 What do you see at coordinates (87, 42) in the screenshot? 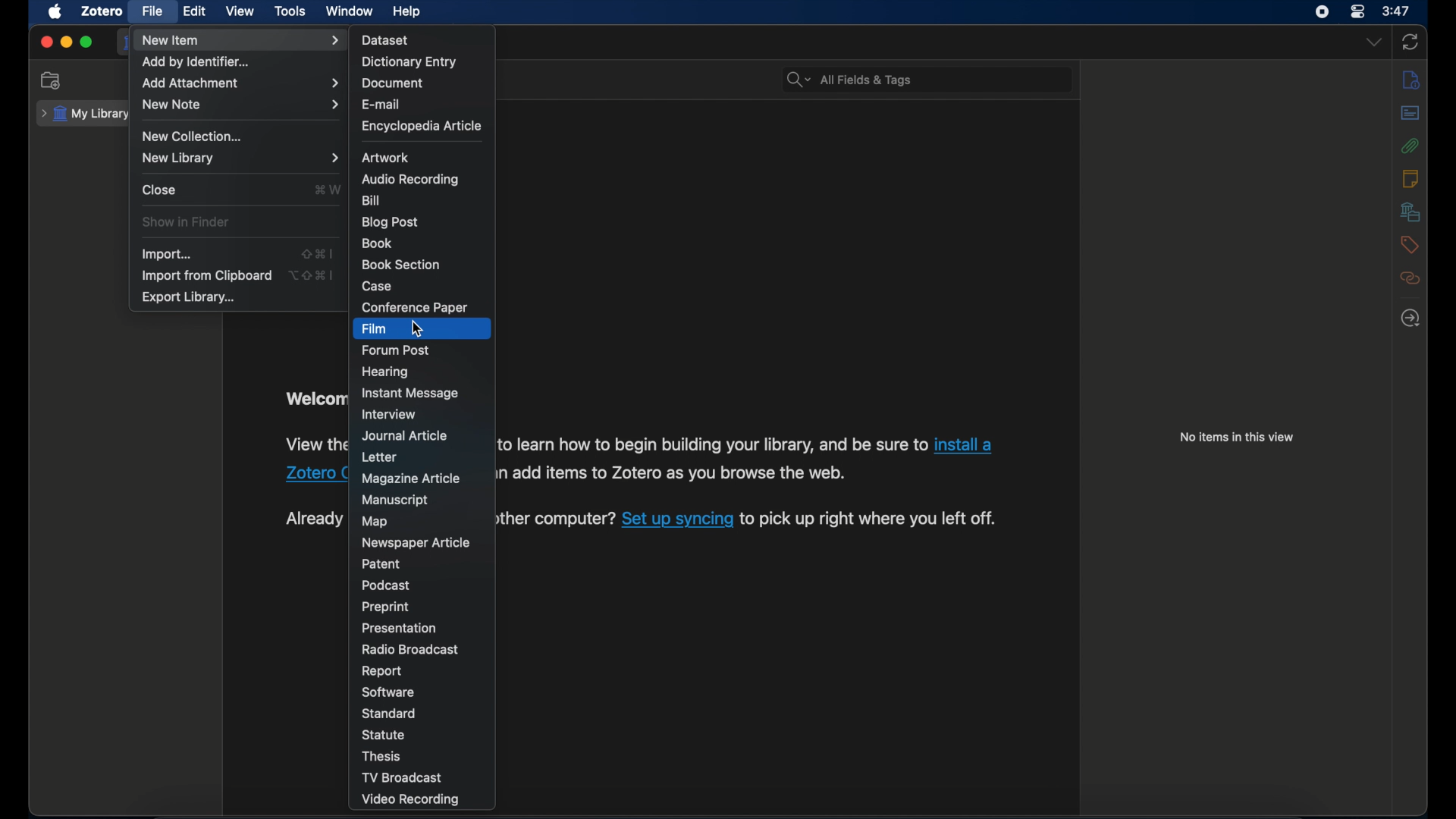
I see `maximize` at bounding box center [87, 42].